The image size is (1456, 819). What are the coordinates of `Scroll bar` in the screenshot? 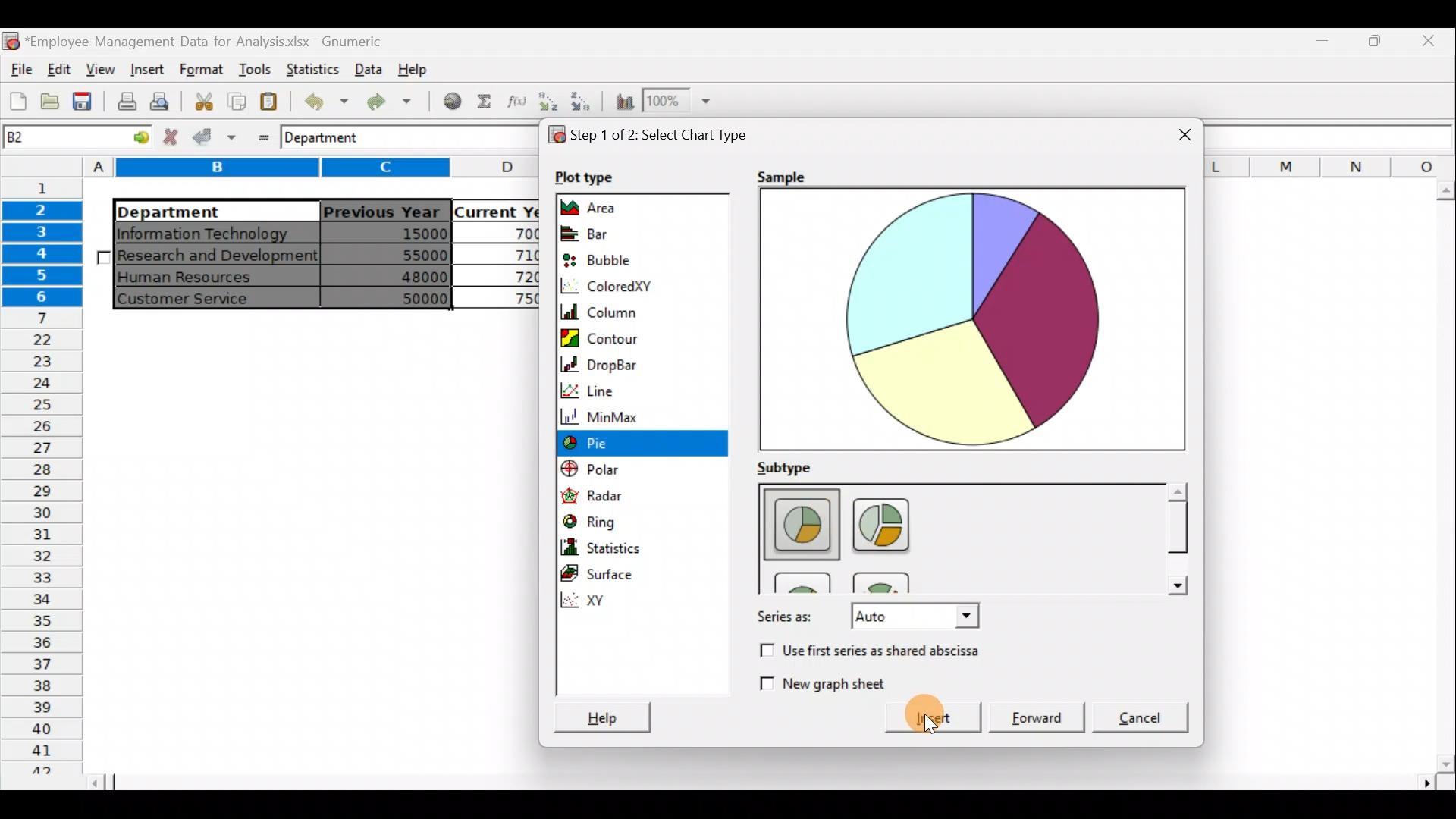 It's located at (1442, 477).